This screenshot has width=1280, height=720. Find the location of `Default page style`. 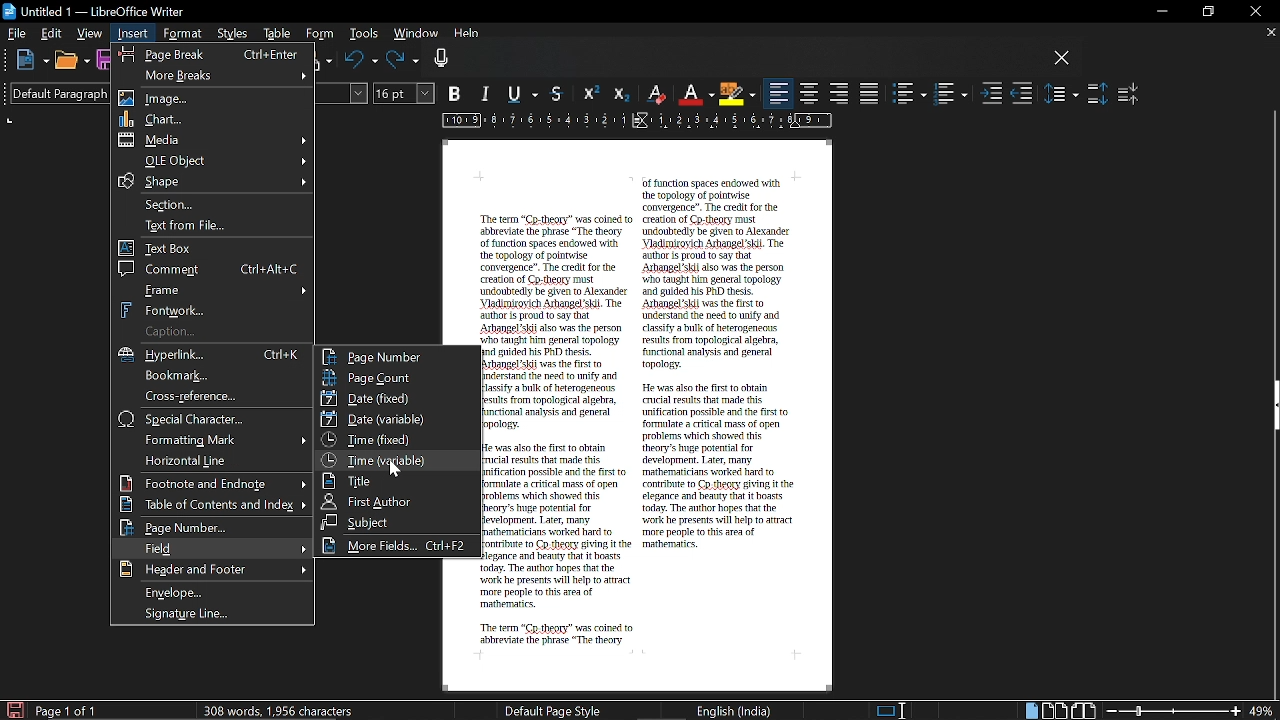

Default page style is located at coordinates (553, 710).